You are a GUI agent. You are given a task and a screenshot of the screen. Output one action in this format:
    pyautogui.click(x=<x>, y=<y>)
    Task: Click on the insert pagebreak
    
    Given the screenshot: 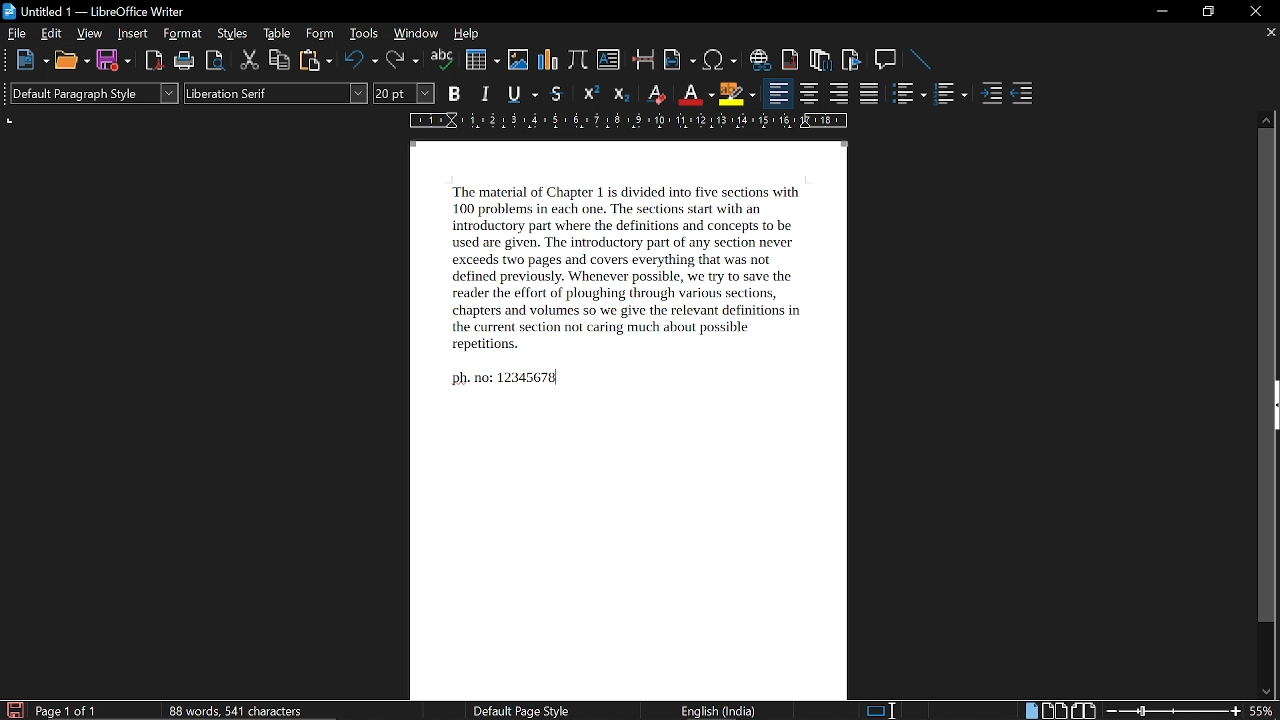 What is the action you would take?
    pyautogui.click(x=642, y=59)
    